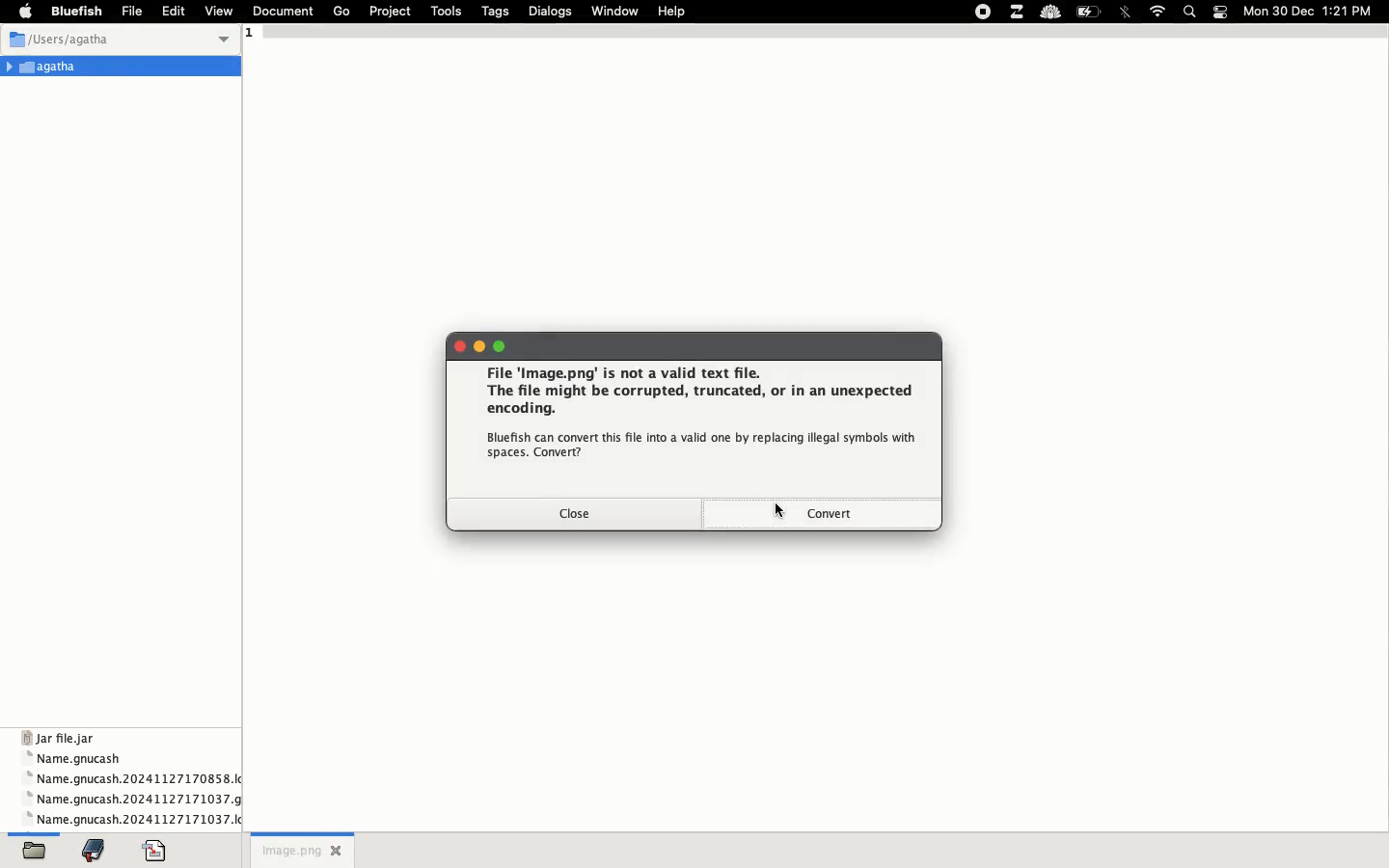 This screenshot has width=1389, height=868. I want to click on bluefish, so click(76, 12).